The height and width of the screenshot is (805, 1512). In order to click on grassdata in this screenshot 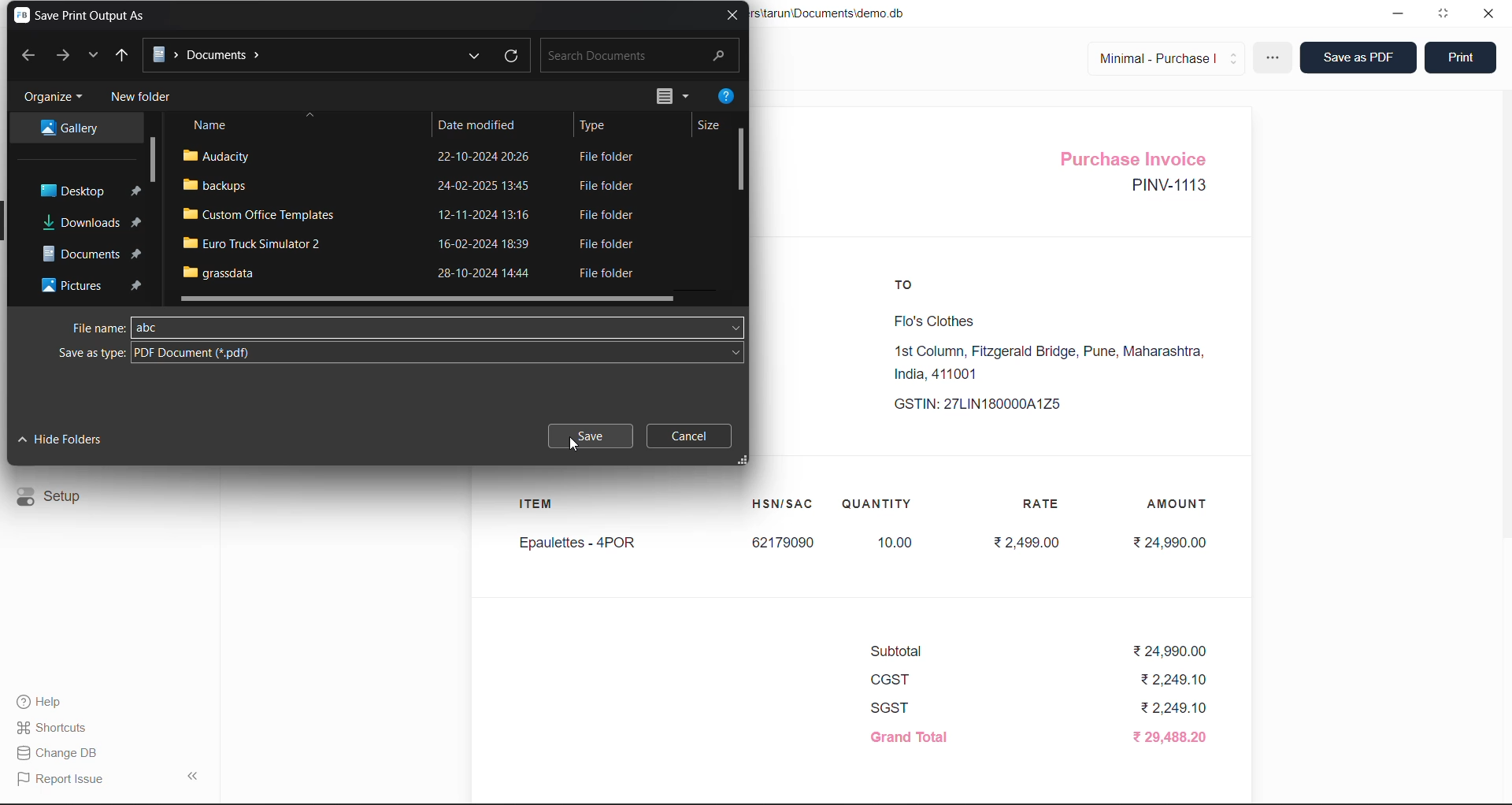, I will do `click(220, 276)`.